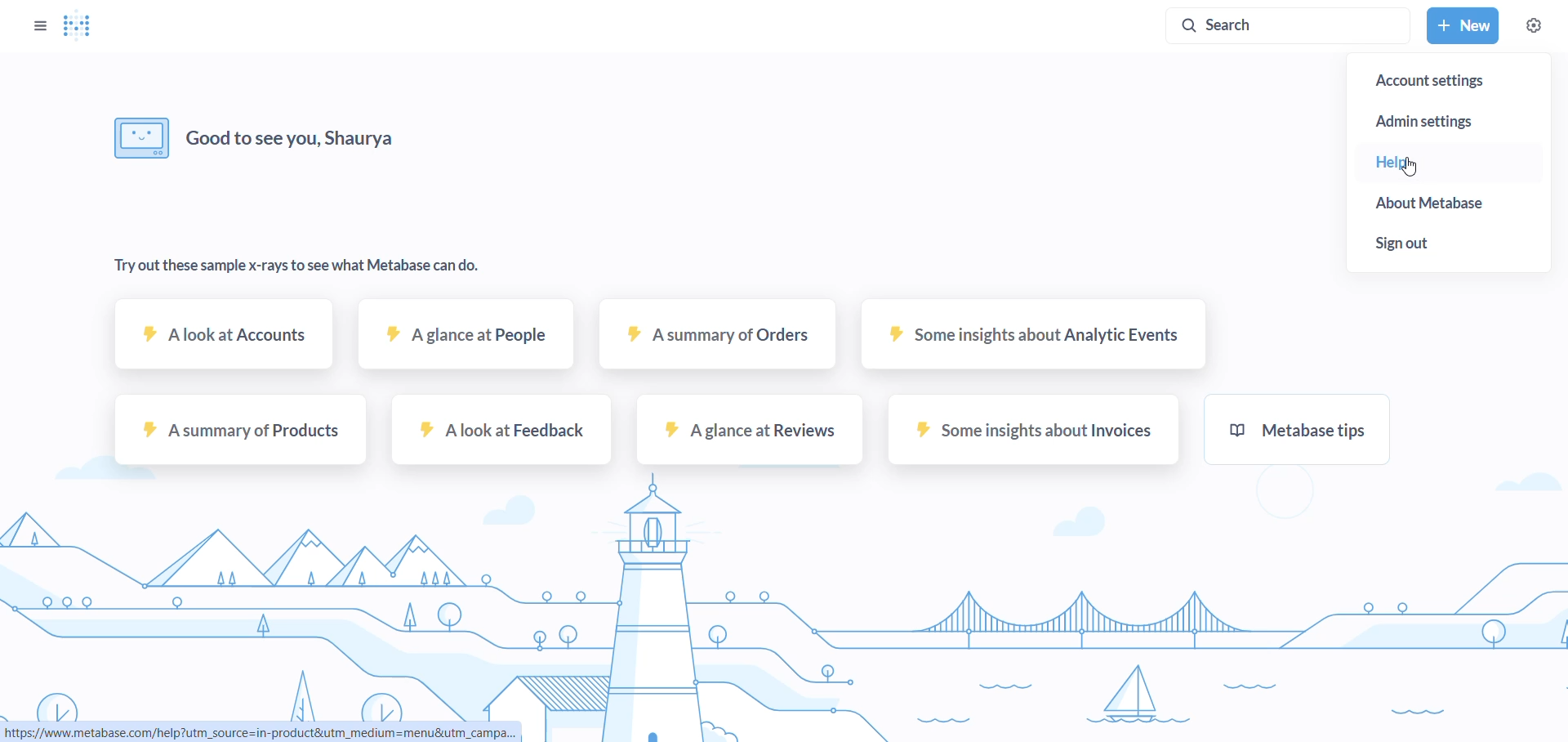 The width and height of the screenshot is (1568, 742). What do you see at coordinates (1443, 118) in the screenshot?
I see `admin settings` at bounding box center [1443, 118].